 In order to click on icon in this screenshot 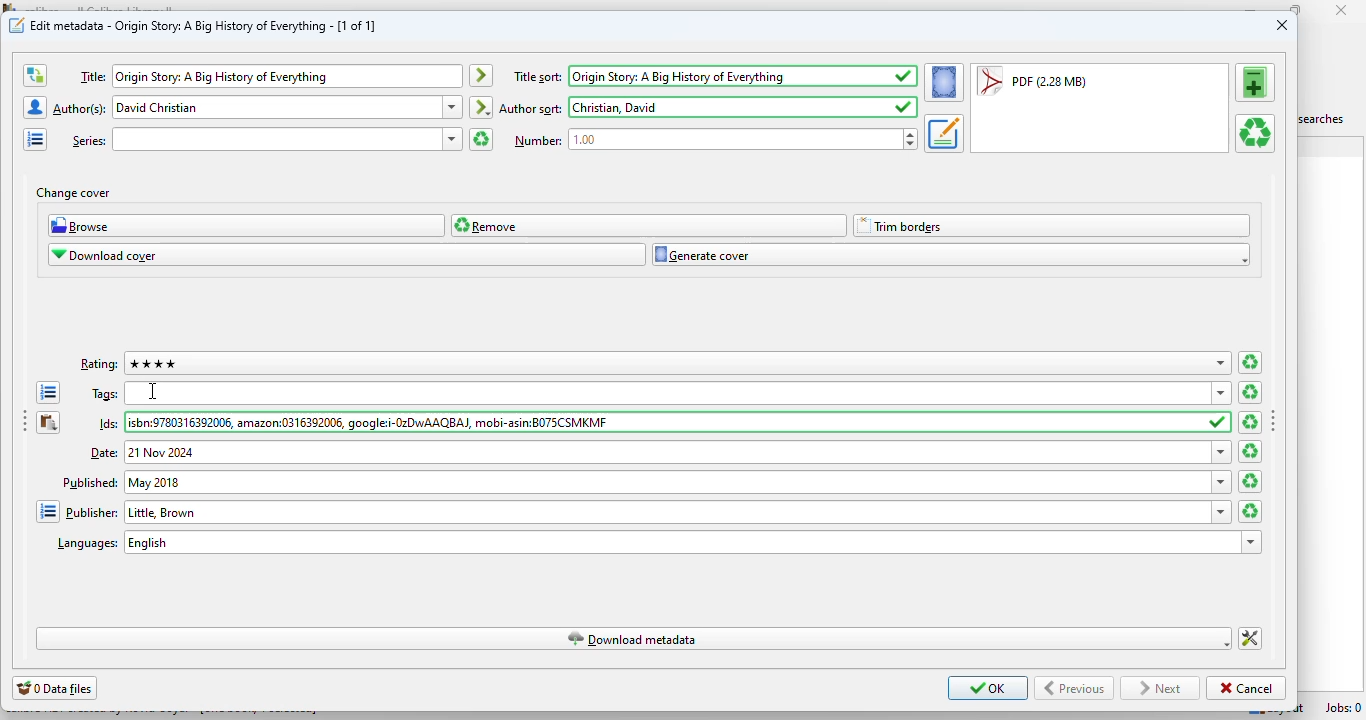, I will do `click(17, 25)`.